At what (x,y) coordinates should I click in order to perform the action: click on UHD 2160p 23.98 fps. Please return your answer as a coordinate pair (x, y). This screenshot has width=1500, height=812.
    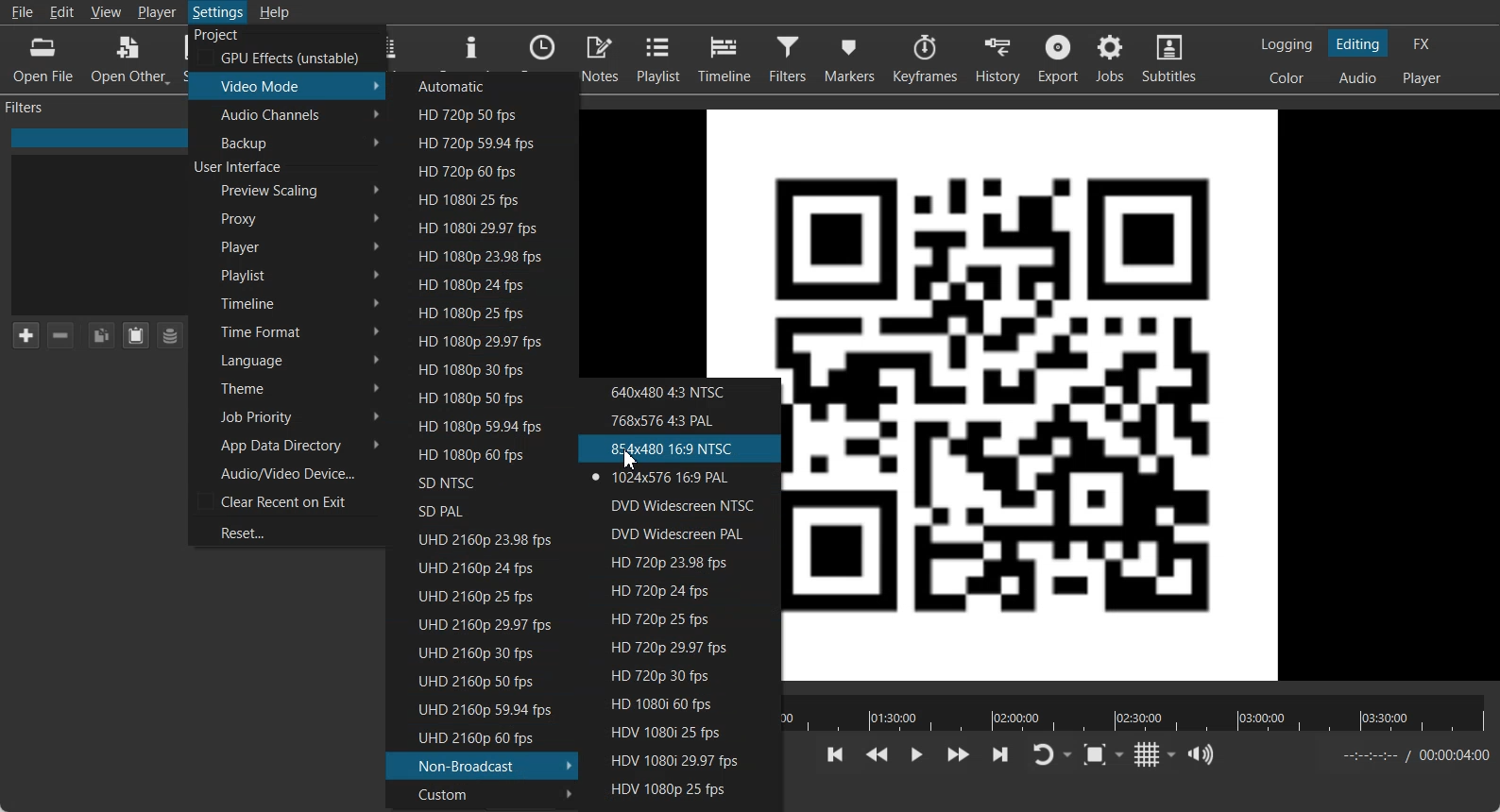
    Looking at the image, I should click on (475, 538).